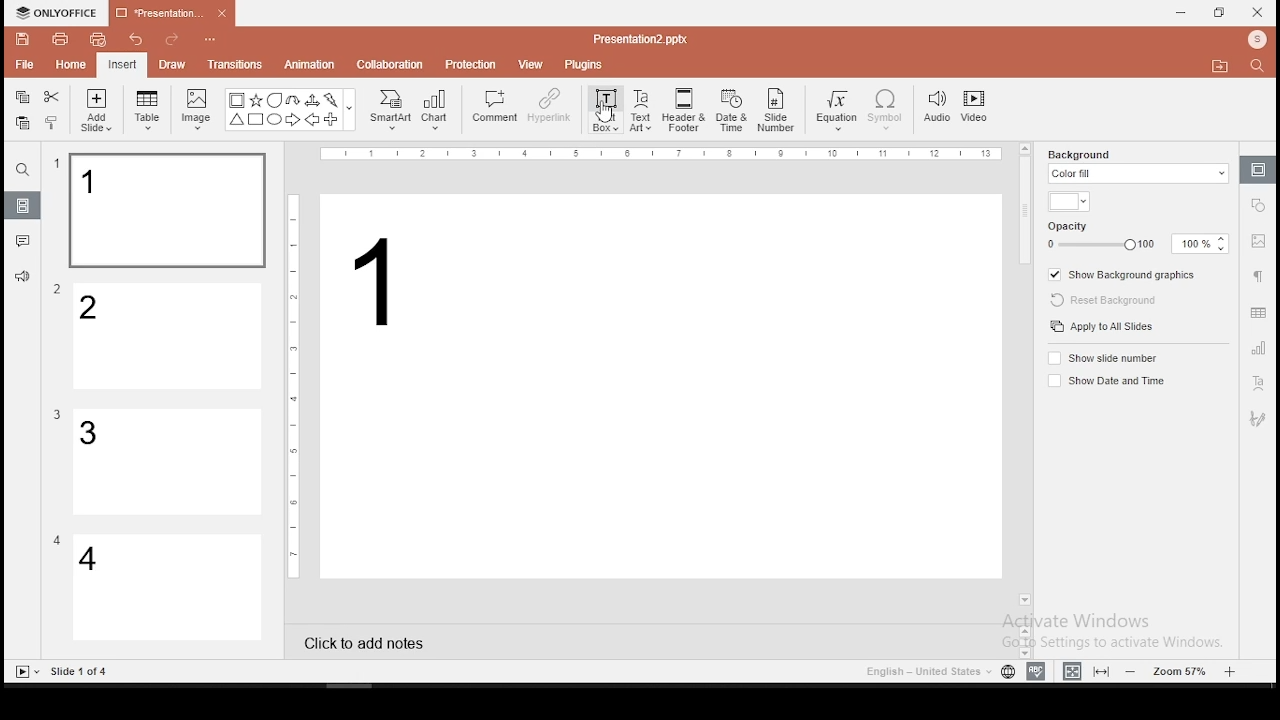 This screenshot has width=1280, height=720. What do you see at coordinates (532, 63) in the screenshot?
I see `view` at bounding box center [532, 63].